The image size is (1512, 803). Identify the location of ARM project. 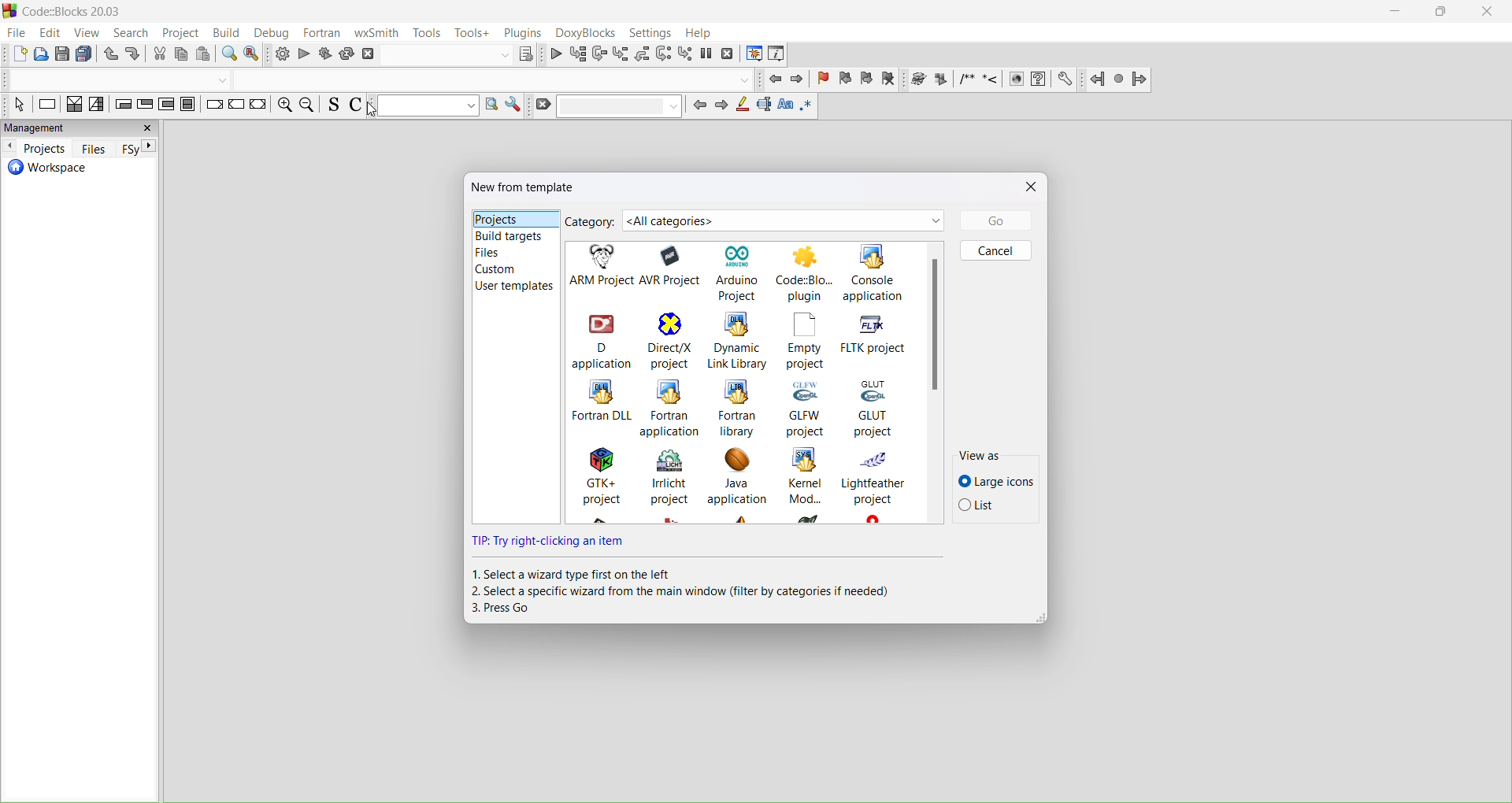
(600, 266).